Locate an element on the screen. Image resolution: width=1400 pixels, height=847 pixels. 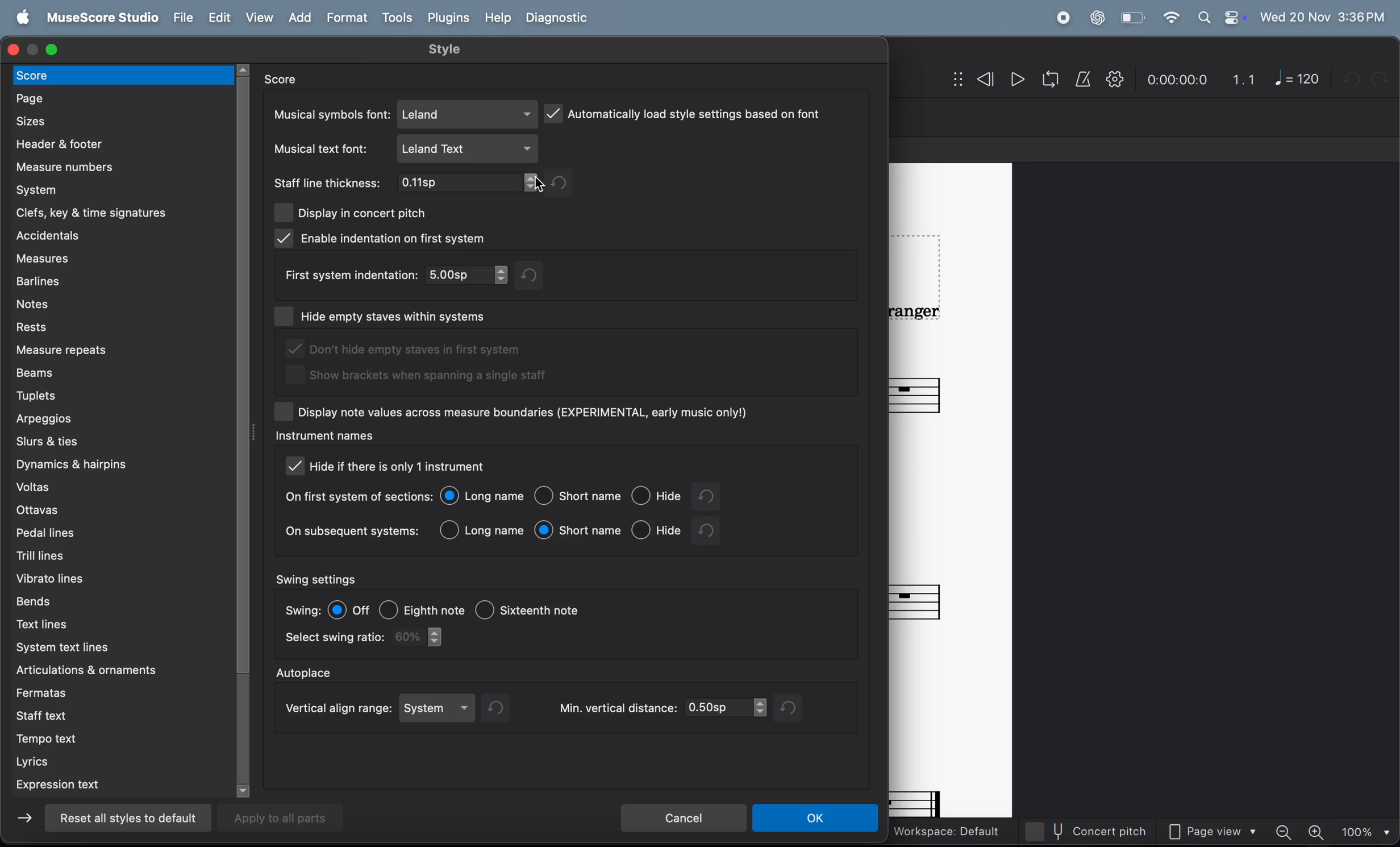
musical symbol font is located at coordinates (330, 114).